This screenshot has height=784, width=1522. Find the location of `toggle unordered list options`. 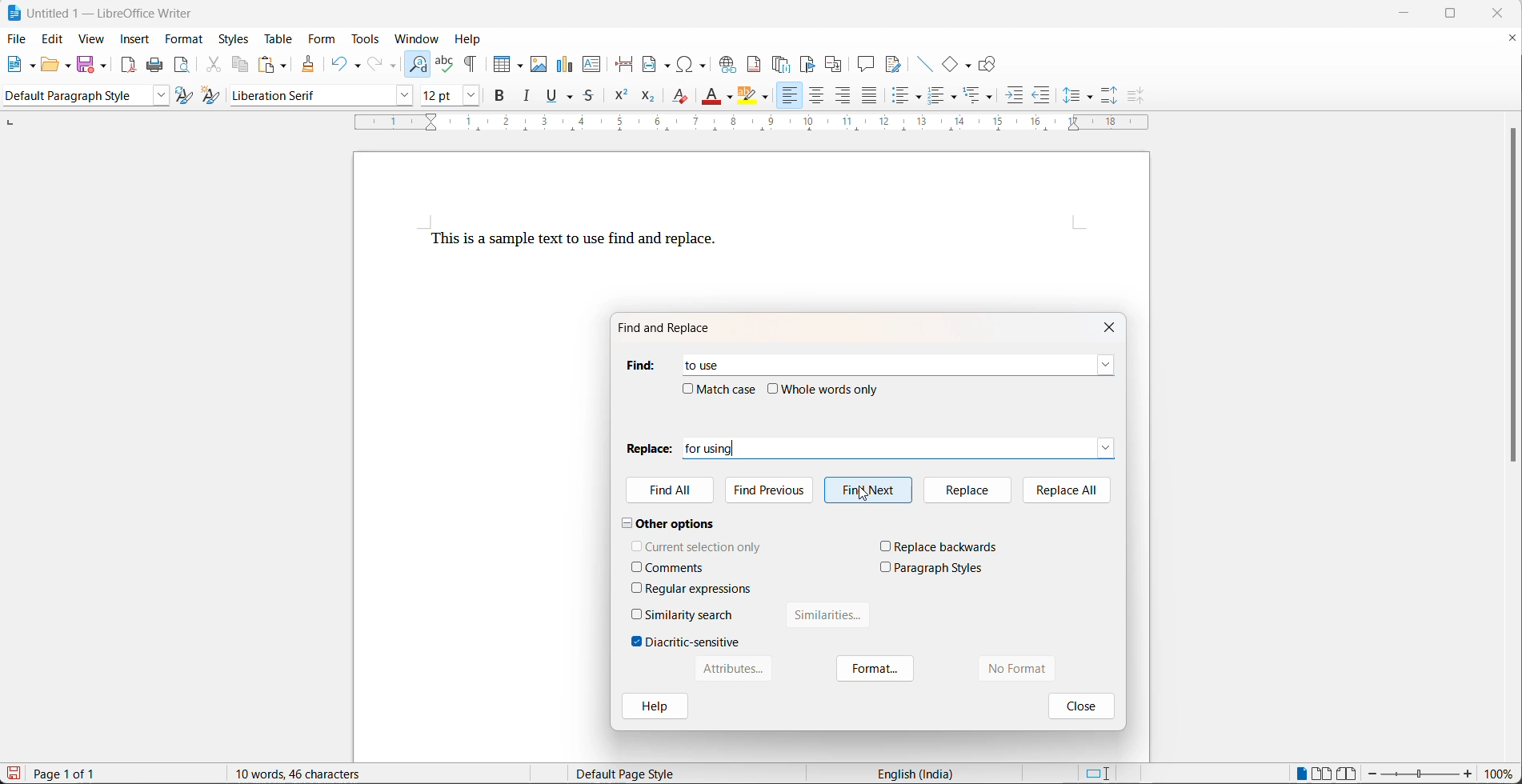

toggle unordered list options is located at coordinates (920, 98).